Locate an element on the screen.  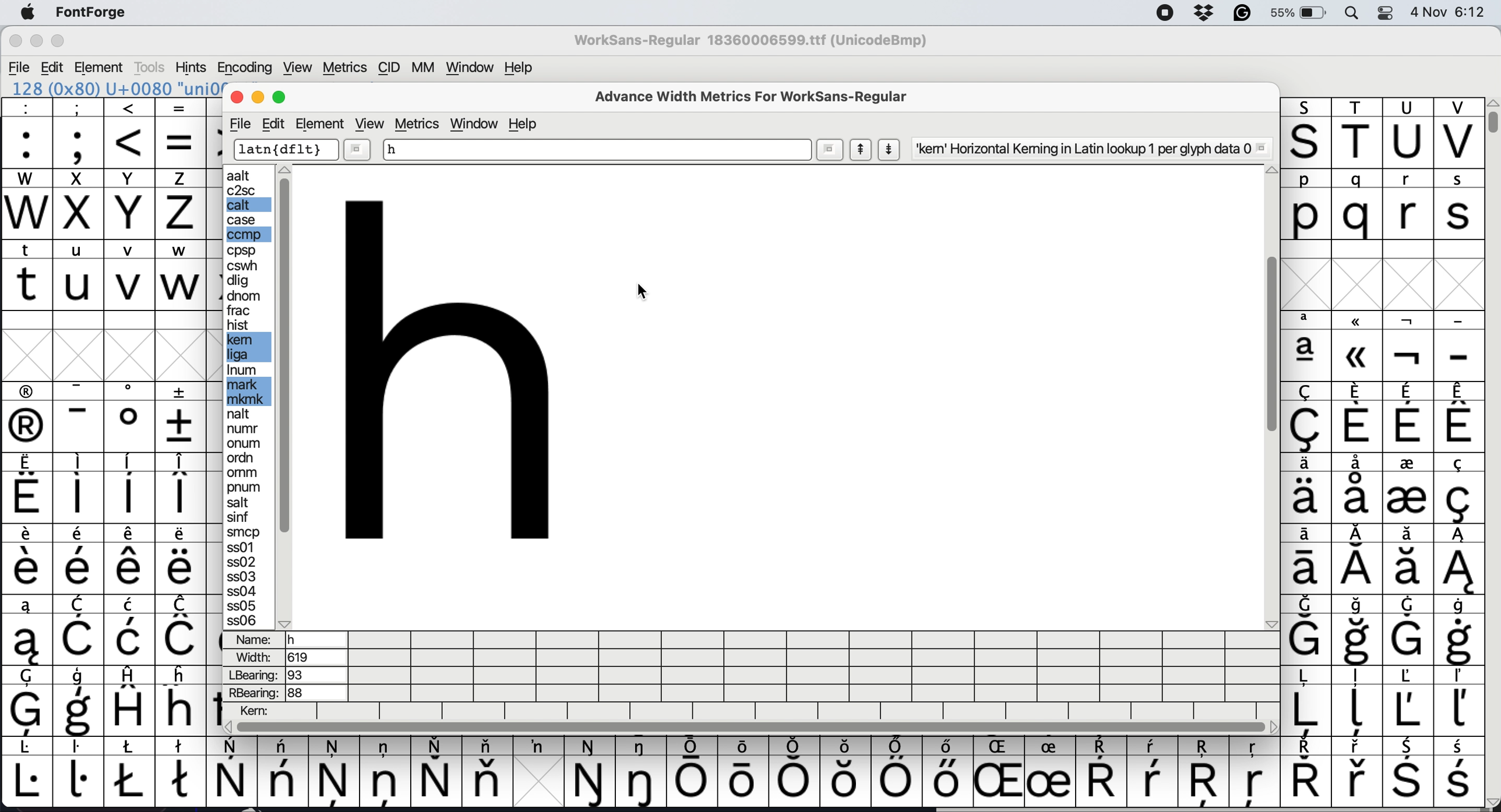
special characters is located at coordinates (109, 462).